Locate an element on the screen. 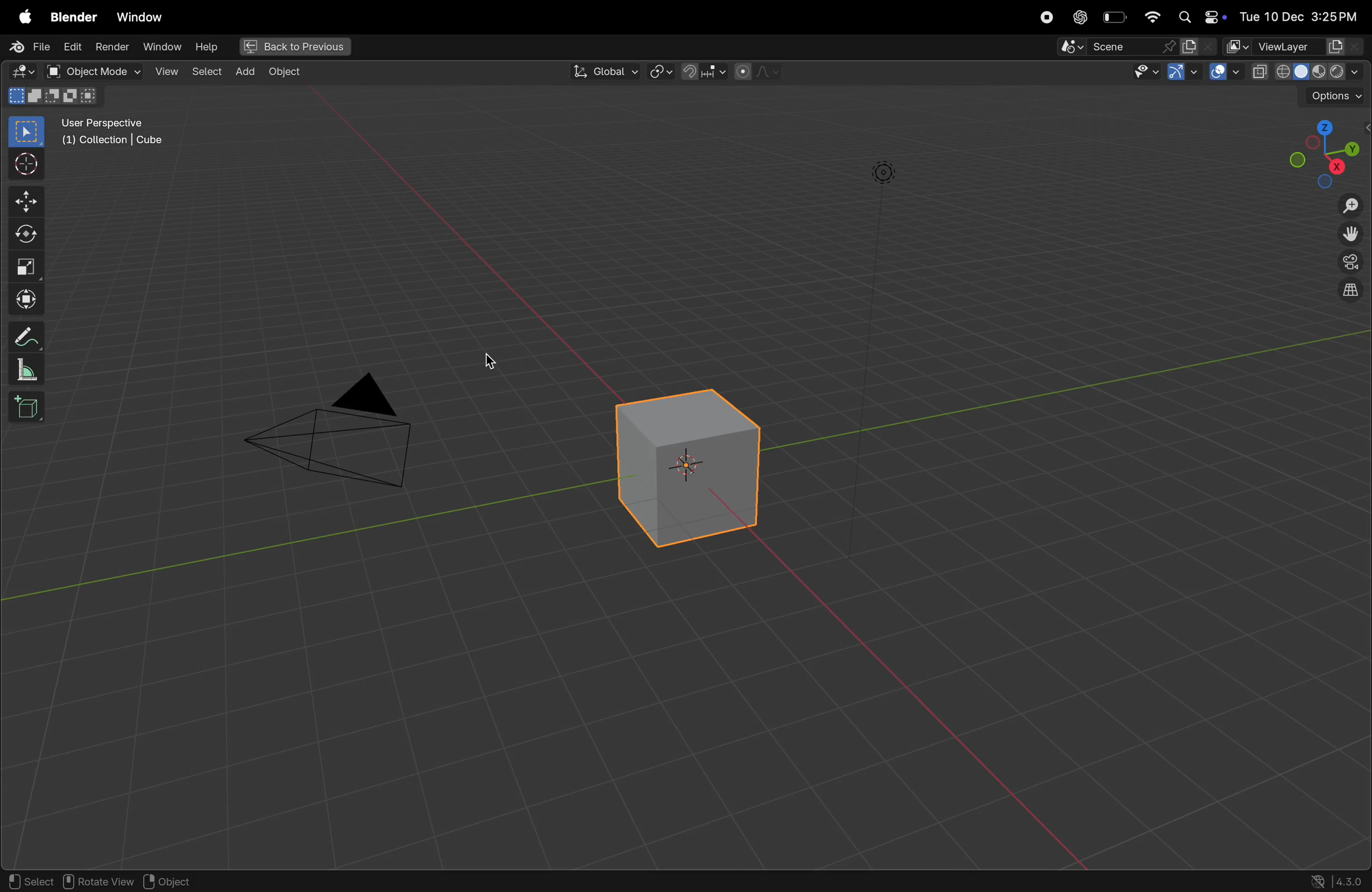  Show system preferences  "Network" panel to allow online access is located at coordinates (1318, 881).